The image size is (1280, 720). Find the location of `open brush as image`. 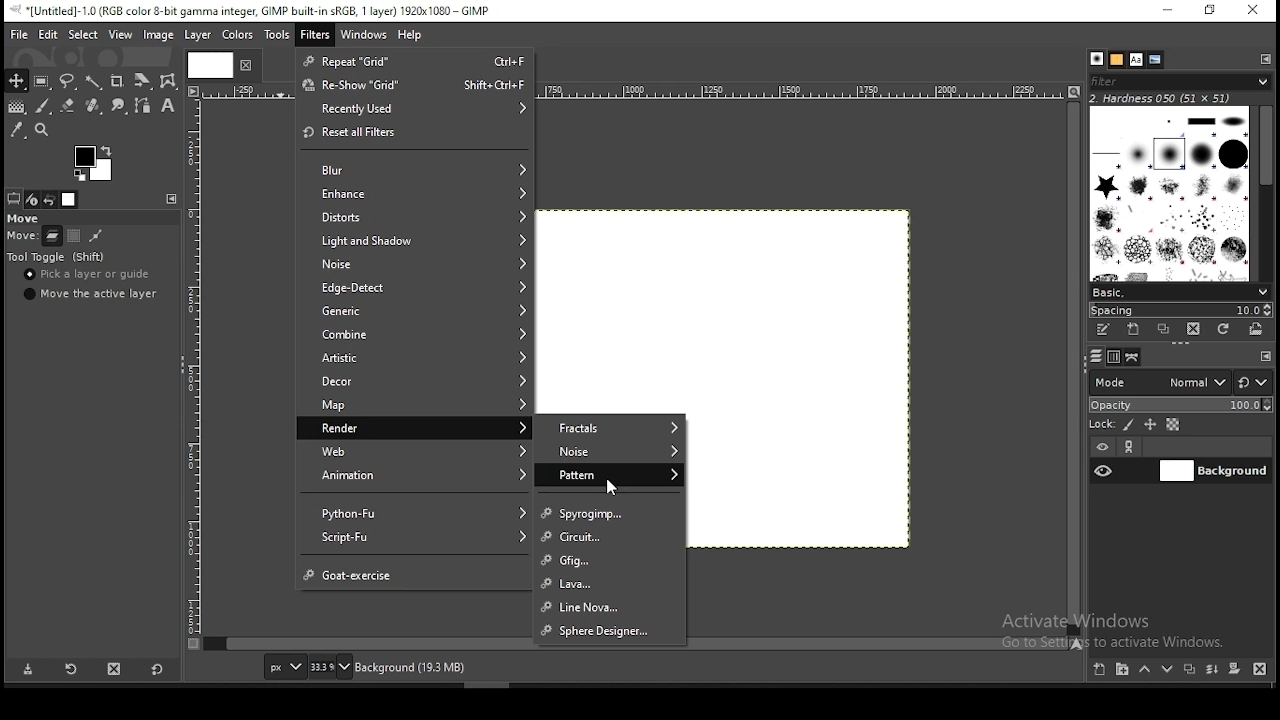

open brush as image is located at coordinates (1257, 329).